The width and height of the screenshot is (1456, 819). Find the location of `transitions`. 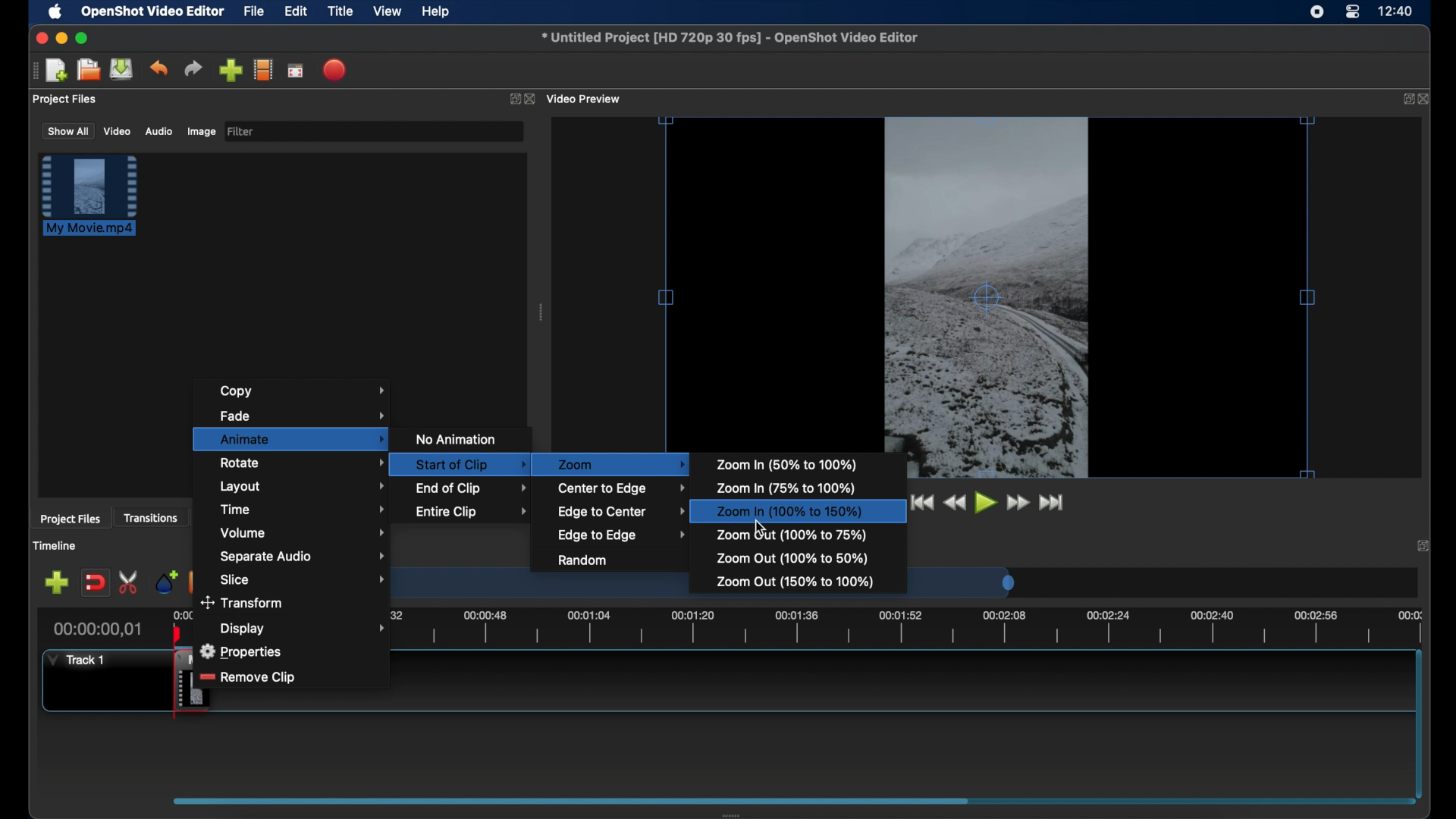

transitions is located at coordinates (152, 519).